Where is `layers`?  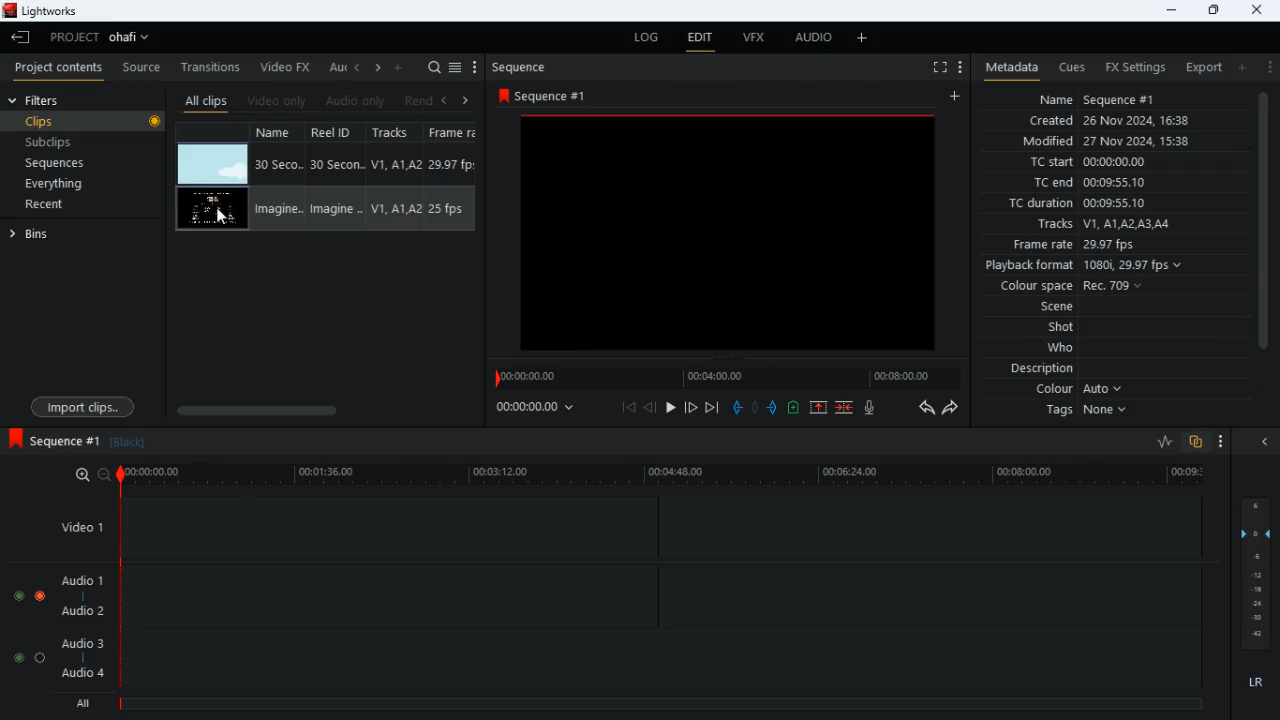
layers is located at coordinates (1254, 573).